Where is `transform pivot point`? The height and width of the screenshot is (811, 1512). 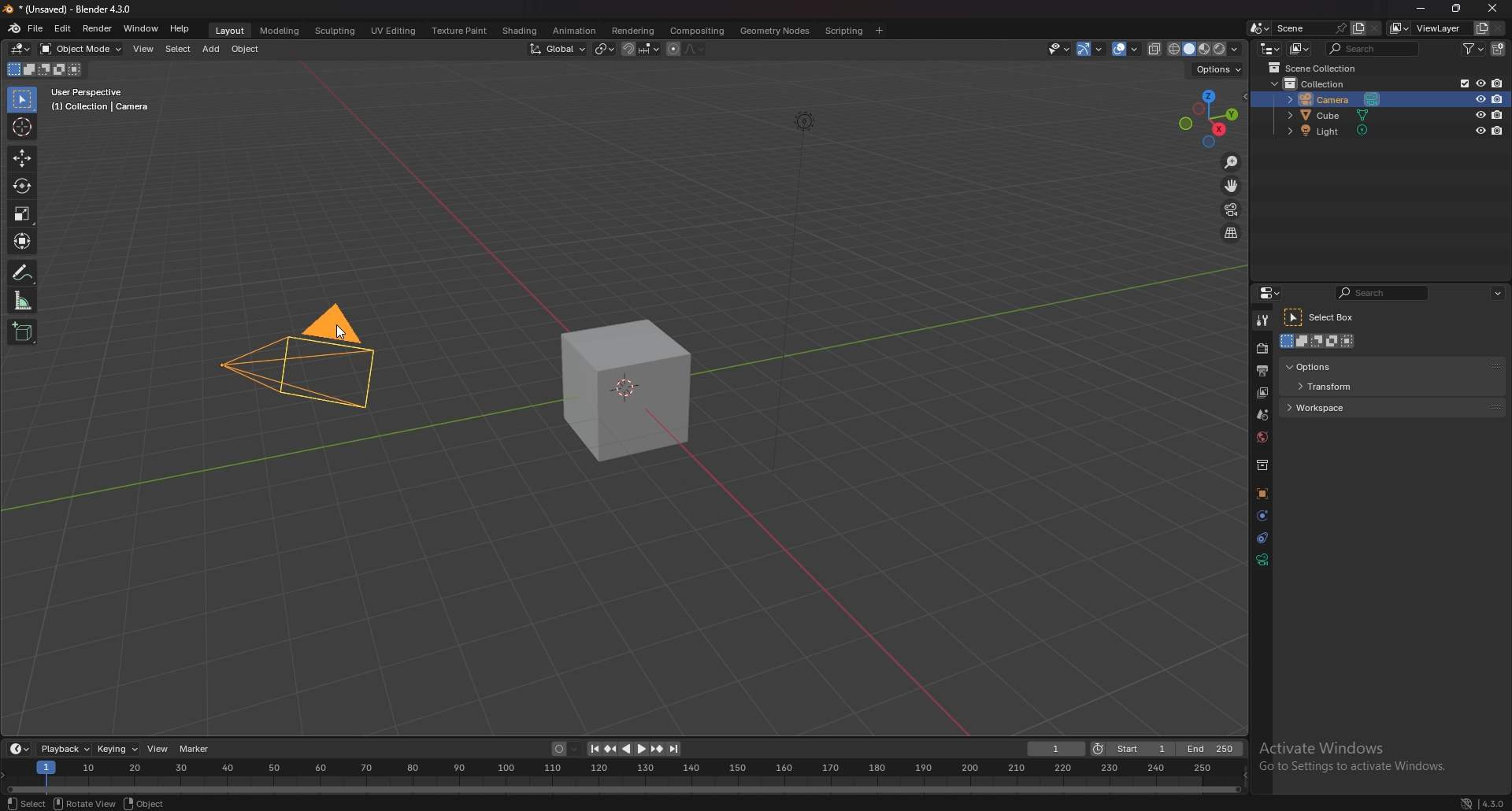 transform pivot point is located at coordinates (603, 49).